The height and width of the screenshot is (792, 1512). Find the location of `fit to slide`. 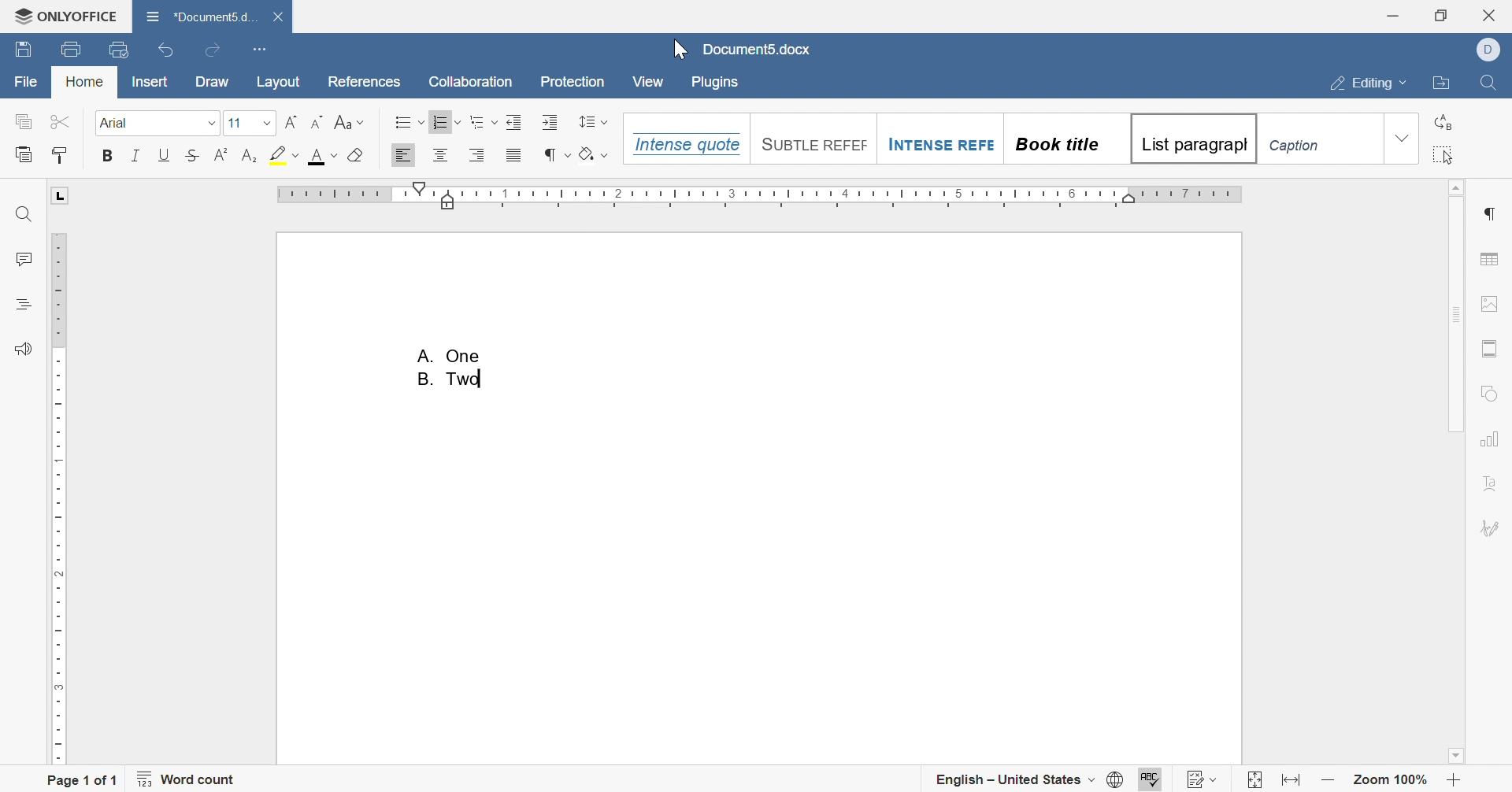

fit to slide is located at coordinates (1254, 781).